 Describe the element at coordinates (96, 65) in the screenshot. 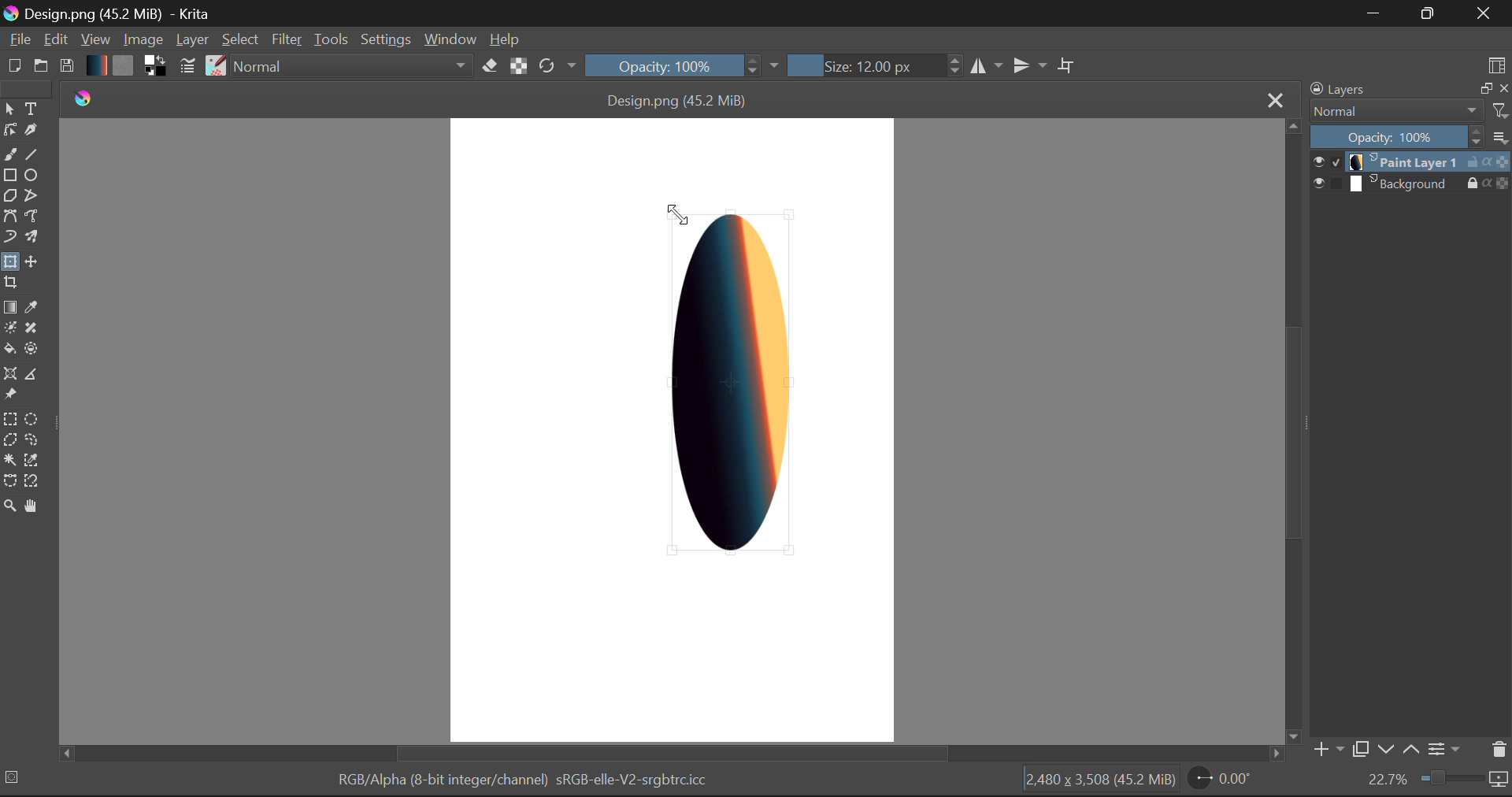

I see `Gradient` at that location.